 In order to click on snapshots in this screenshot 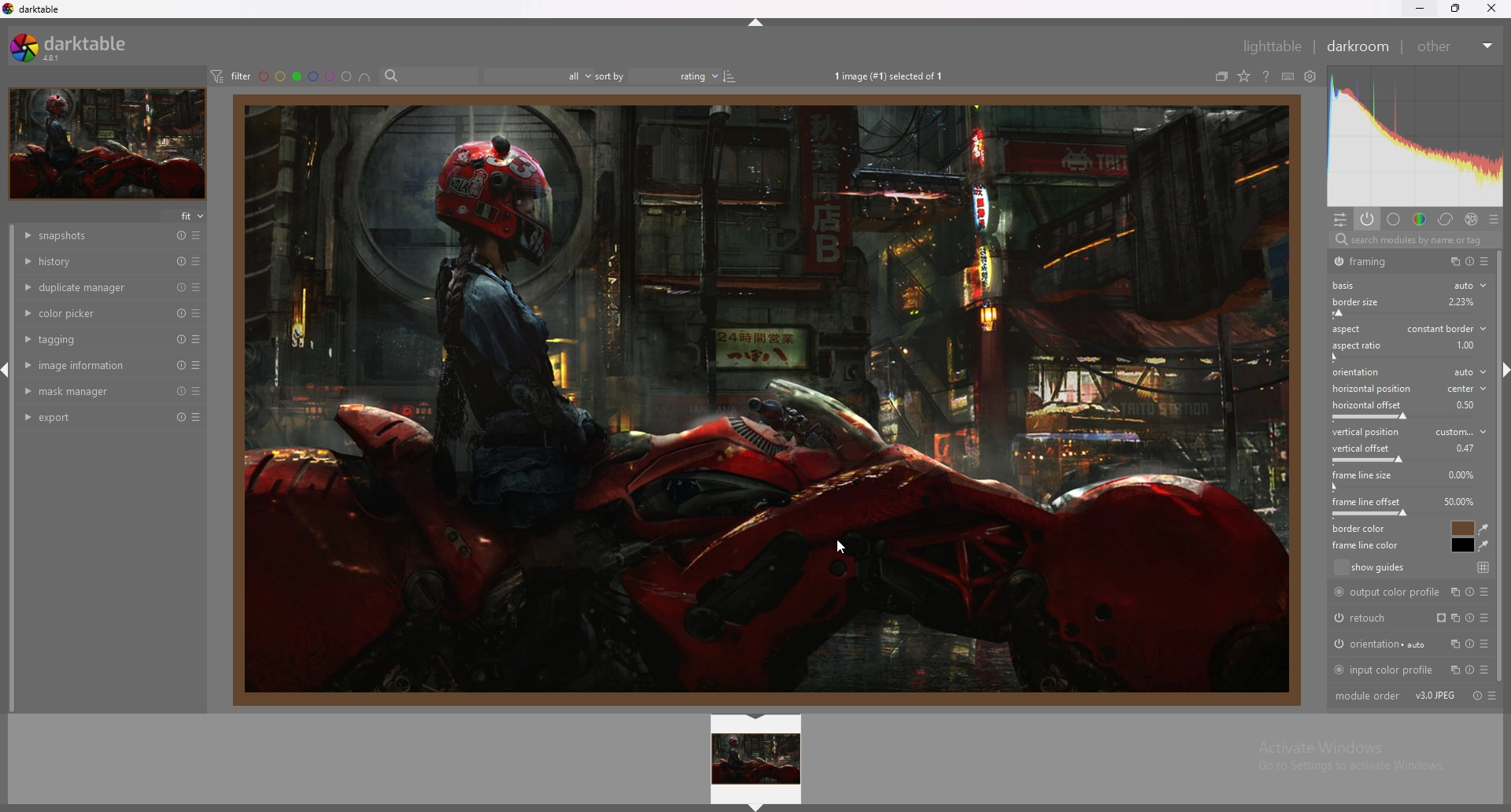, I will do `click(96, 237)`.